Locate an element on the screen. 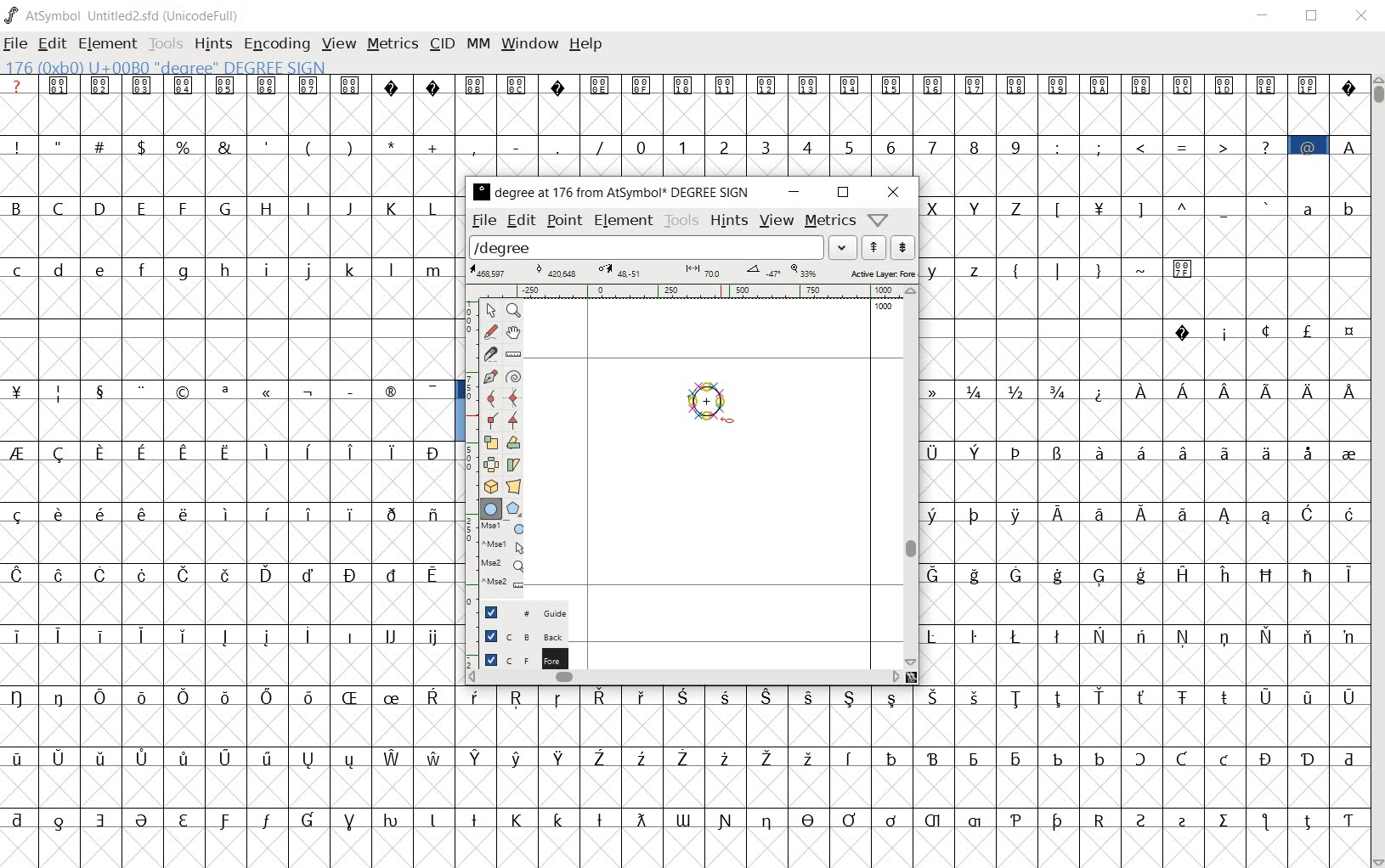 The width and height of the screenshot is (1385, 868). empty glyph slots is located at coordinates (234, 603).